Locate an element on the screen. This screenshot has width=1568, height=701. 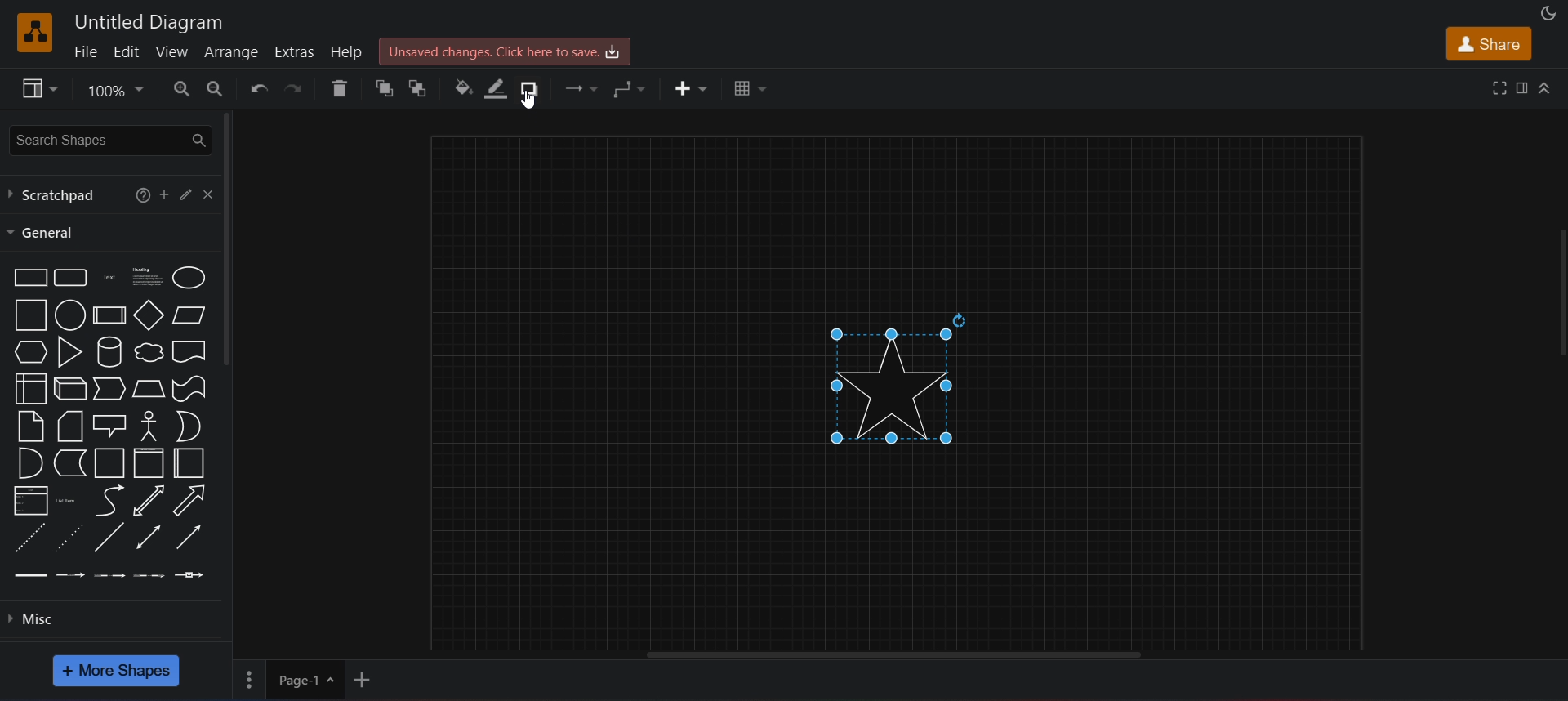
callout is located at coordinates (109, 426).